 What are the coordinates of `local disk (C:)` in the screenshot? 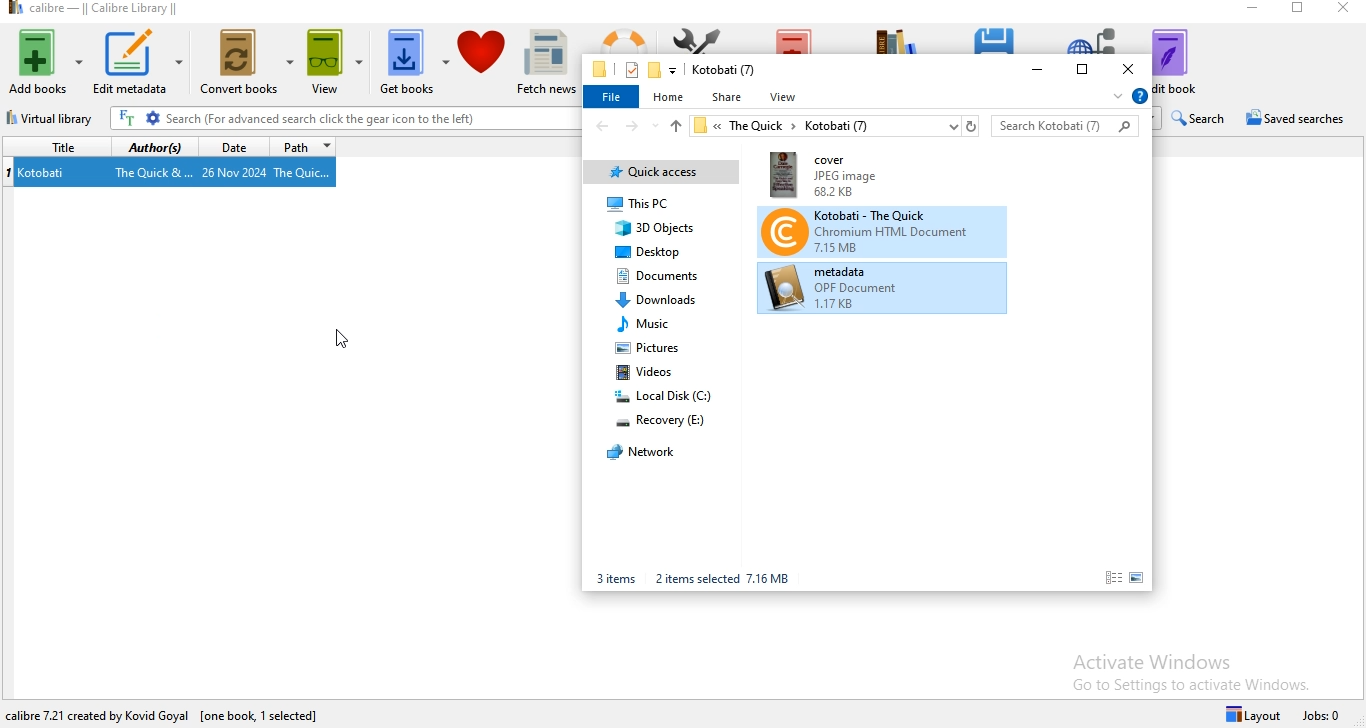 It's located at (664, 395).